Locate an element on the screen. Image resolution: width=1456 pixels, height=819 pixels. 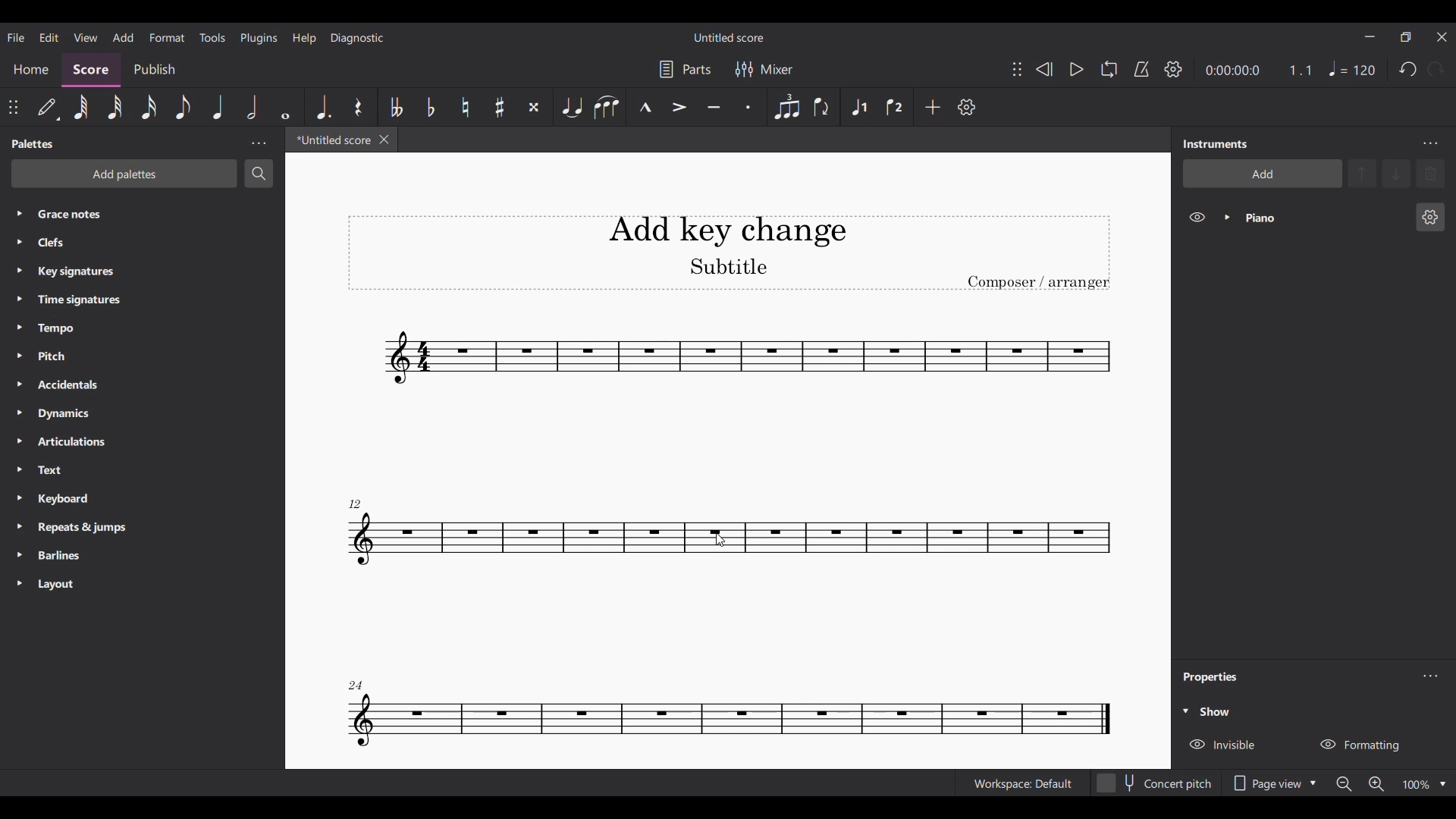
Tie is located at coordinates (572, 107).